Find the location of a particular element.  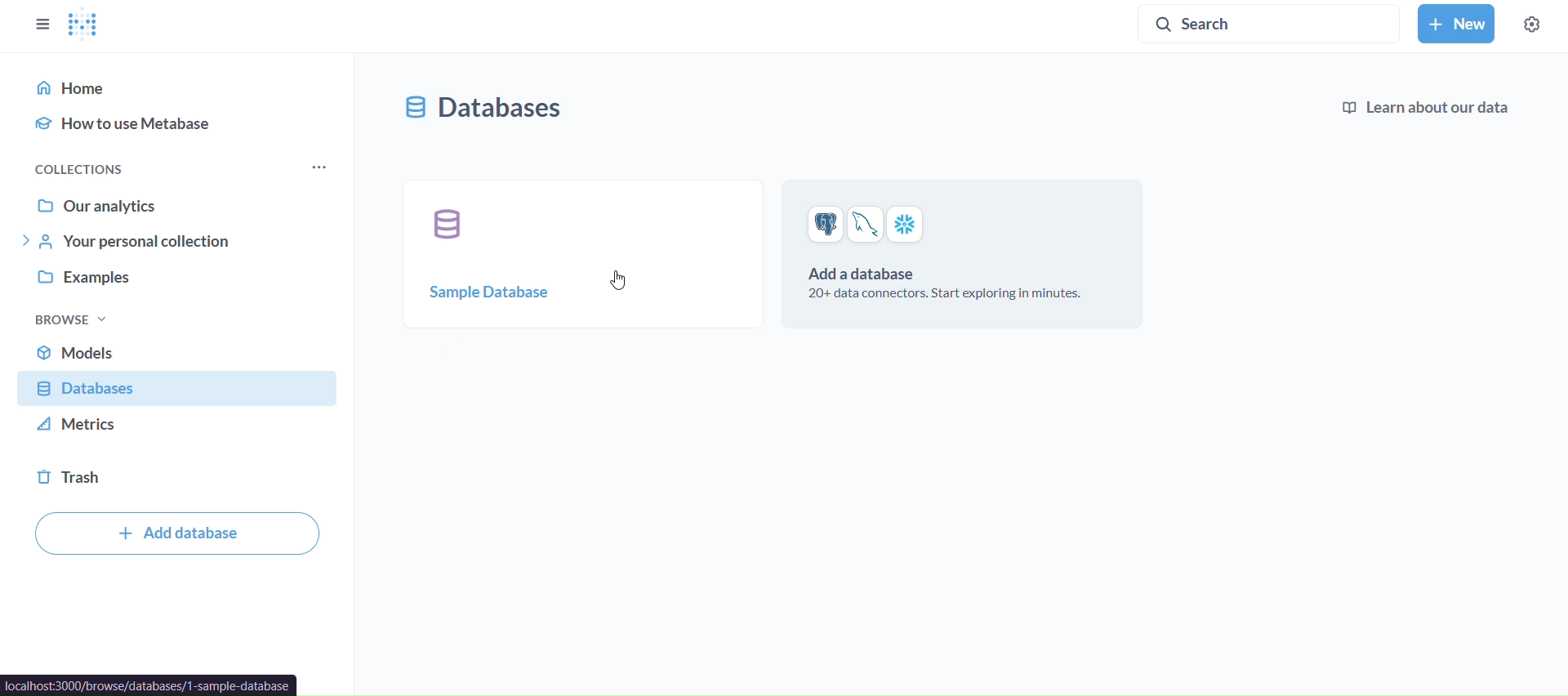

cursor is located at coordinates (618, 280).